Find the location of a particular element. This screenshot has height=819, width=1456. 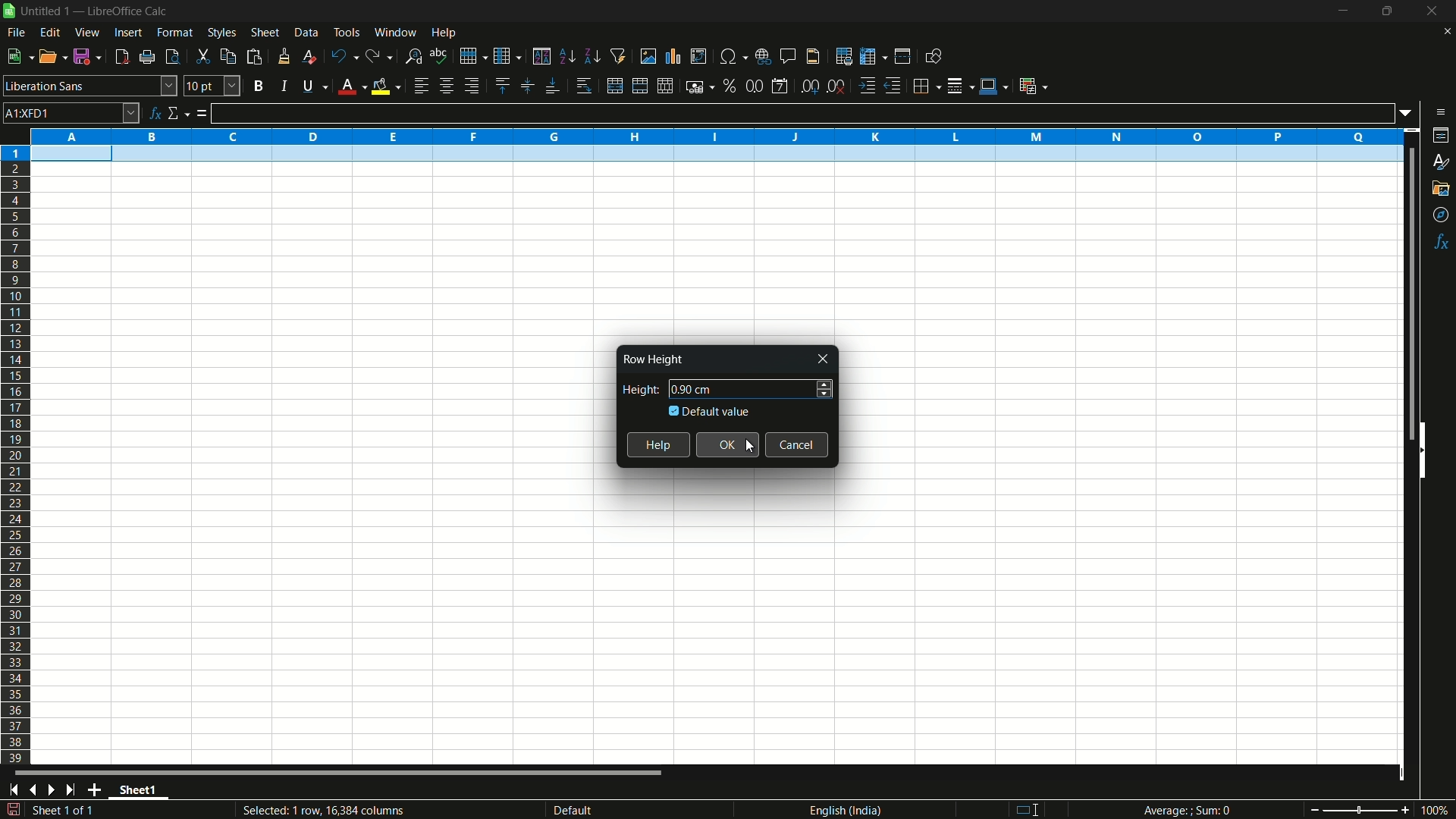

open file is located at coordinates (54, 57).